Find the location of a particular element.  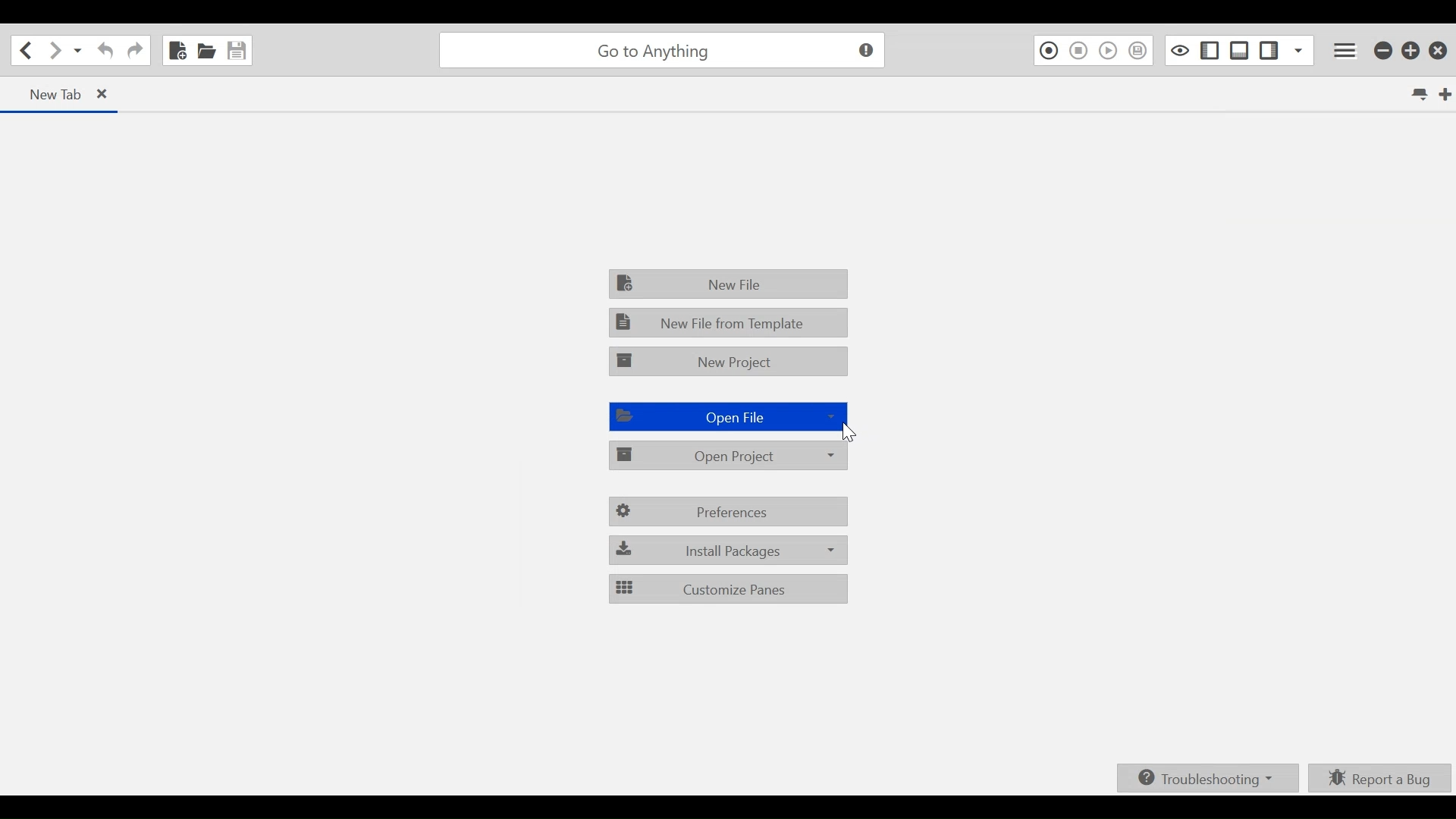

Restore is located at coordinates (1412, 49).